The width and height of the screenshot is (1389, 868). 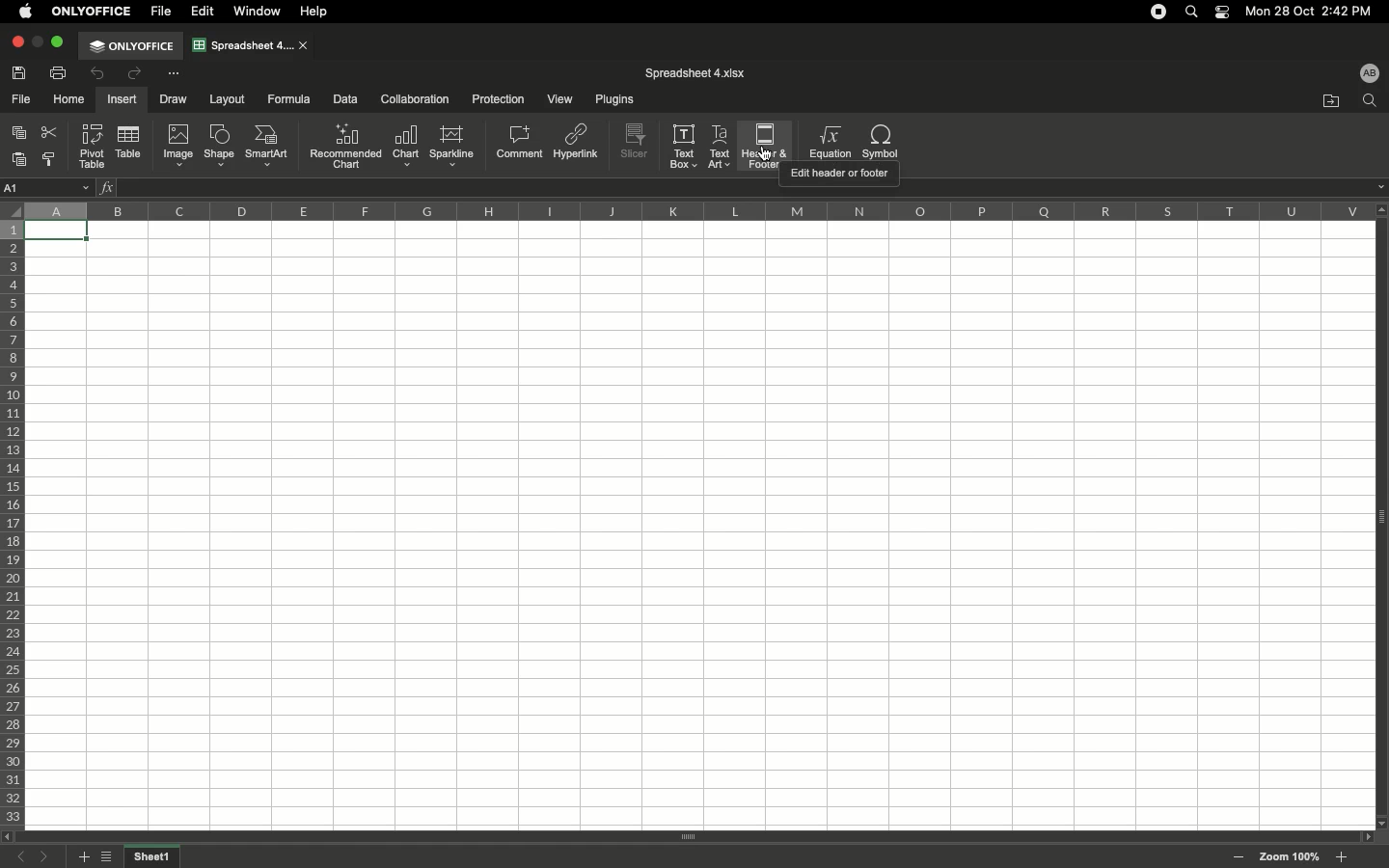 What do you see at coordinates (99, 75) in the screenshot?
I see `Undo` at bounding box center [99, 75].